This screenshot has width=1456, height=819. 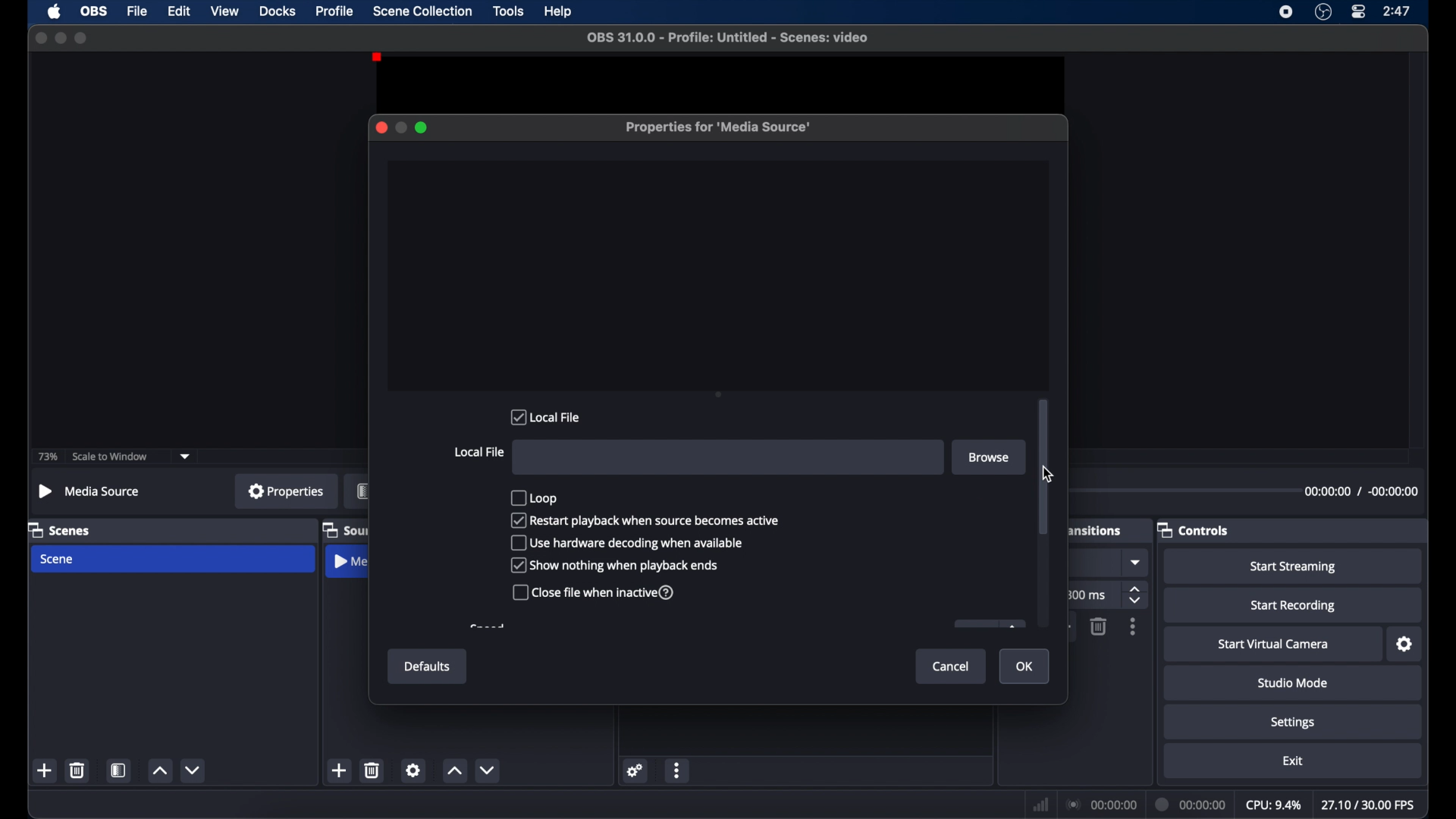 I want to click on loop, so click(x=535, y=497).